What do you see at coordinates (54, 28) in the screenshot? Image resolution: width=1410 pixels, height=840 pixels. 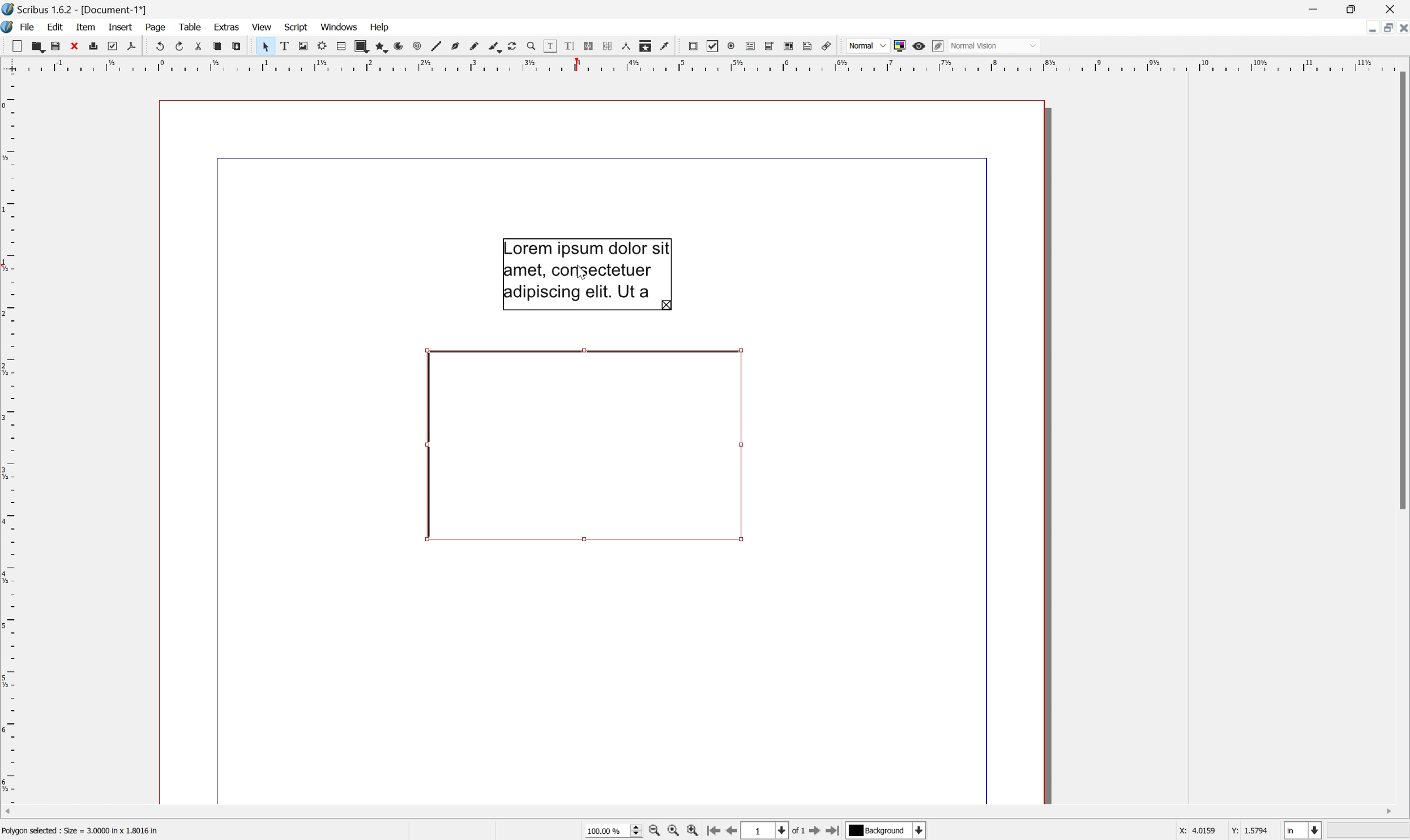 I see `Edit` at bounding box center [54, 28].